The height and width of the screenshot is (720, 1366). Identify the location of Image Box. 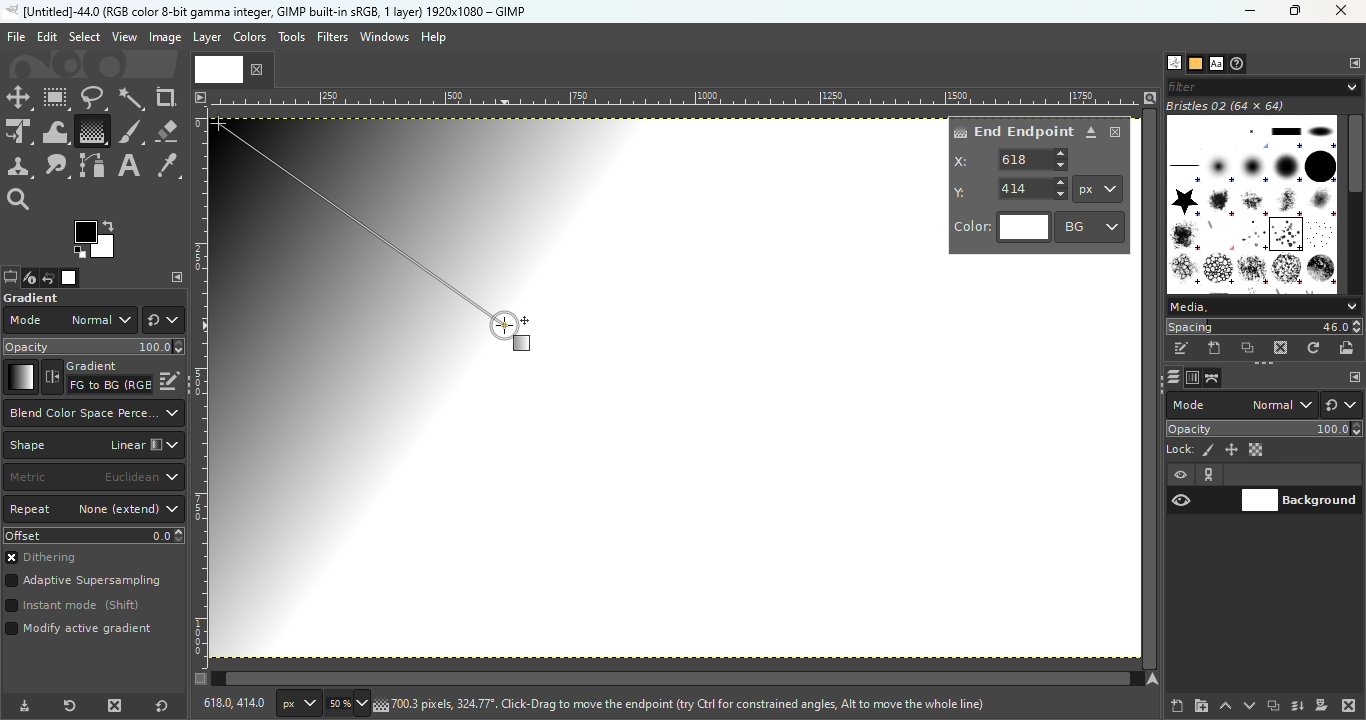
(1252, 197).